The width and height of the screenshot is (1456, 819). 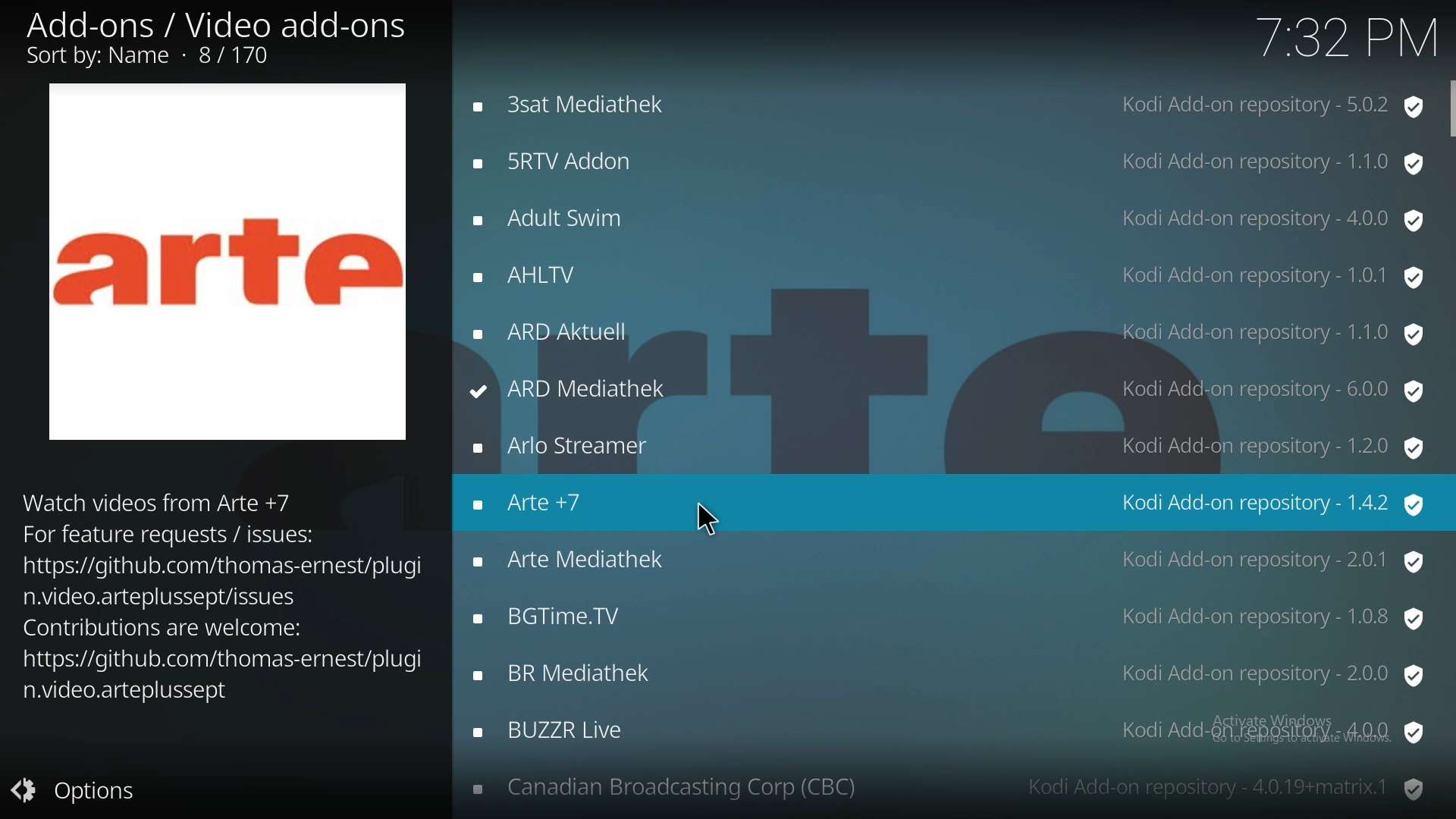 What do you see at coordinates (952, 500) in the screenshot?
I see `add on` at bounding box center [952, 500].